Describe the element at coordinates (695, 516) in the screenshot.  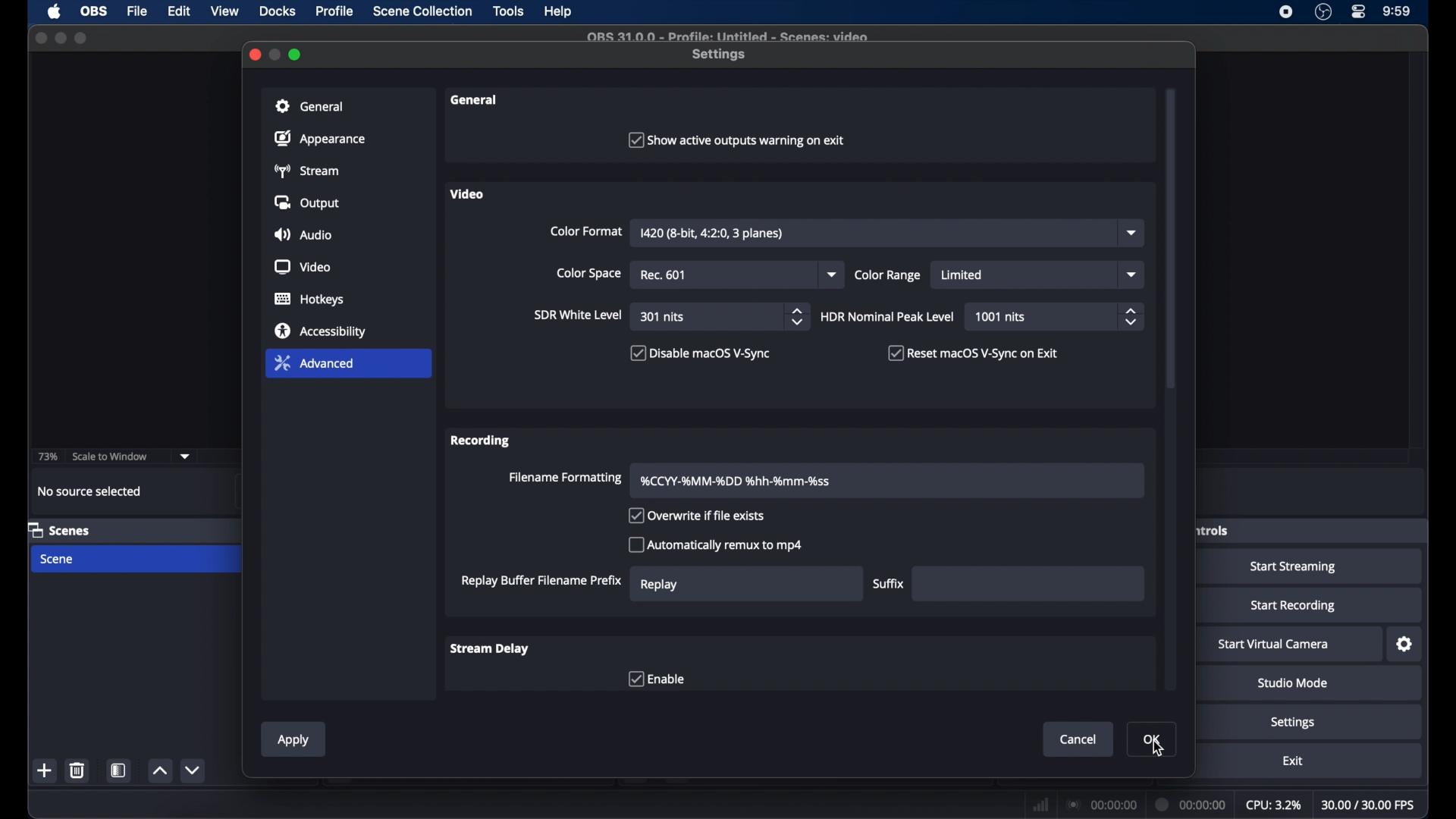
I see `checkbox ` at that location.